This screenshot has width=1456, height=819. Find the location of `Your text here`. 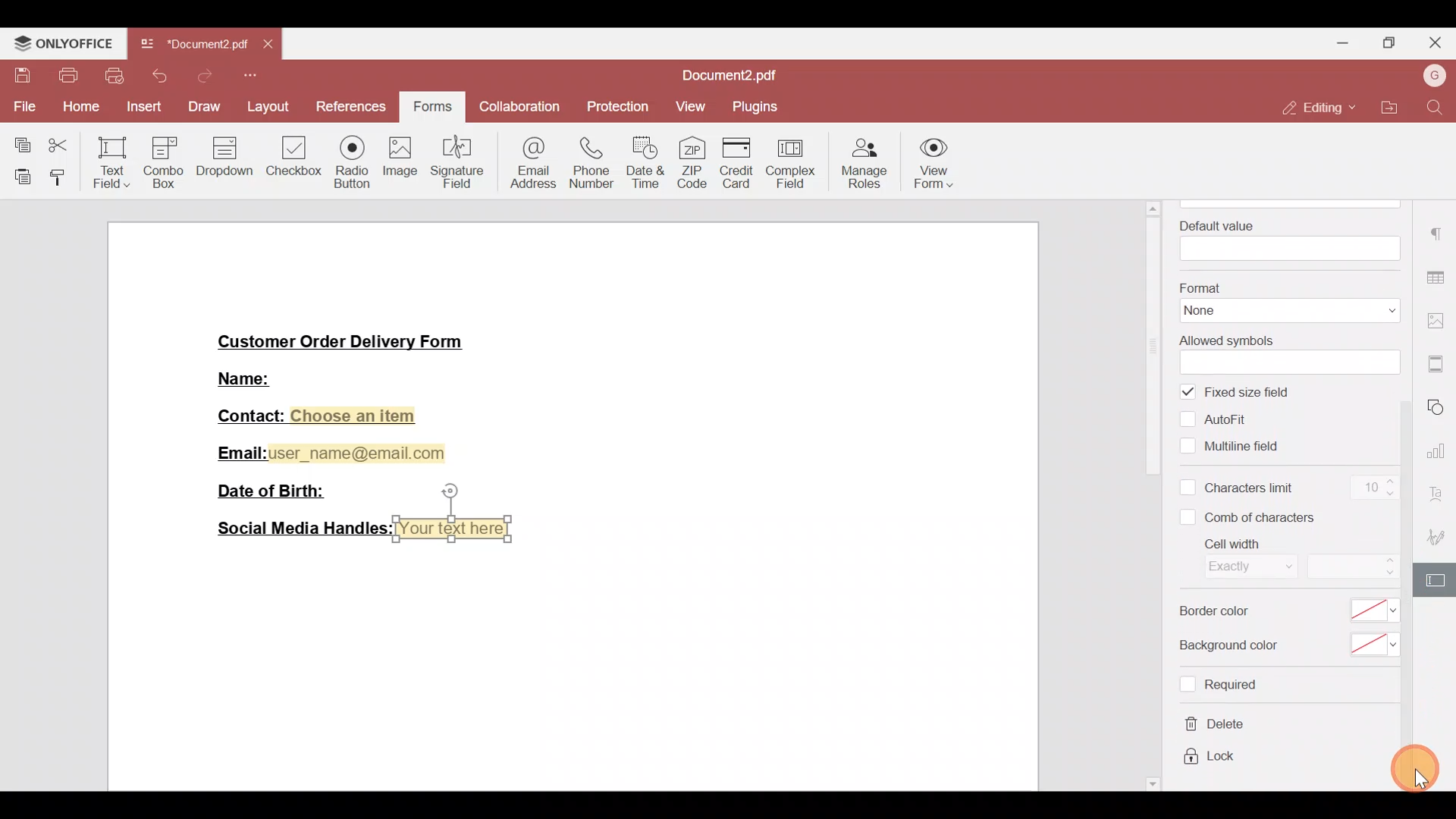

Your text here is located at coordinates (457, 529).